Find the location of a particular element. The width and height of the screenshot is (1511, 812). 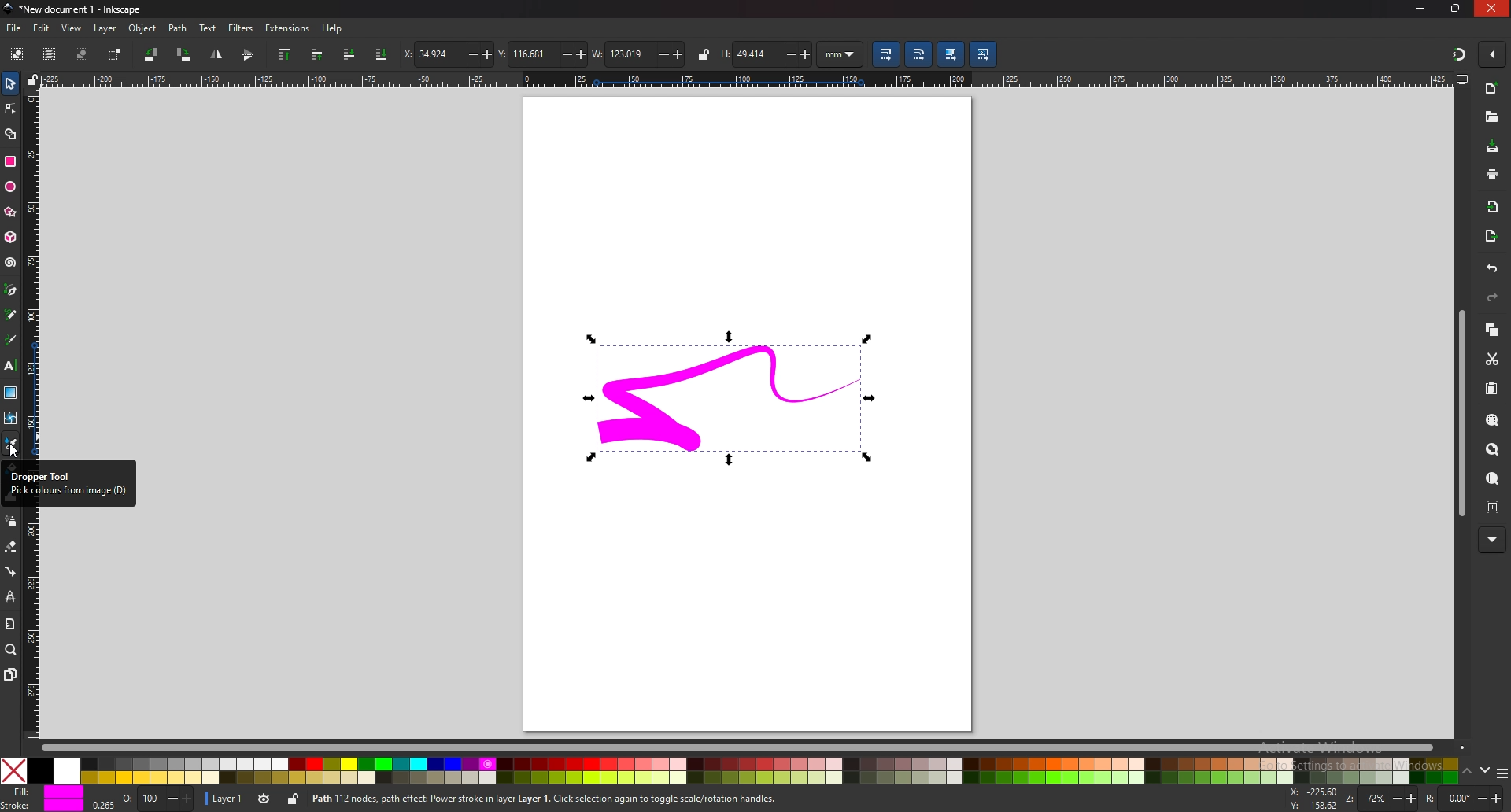

y coordinates is located at coordinates (542, 53).